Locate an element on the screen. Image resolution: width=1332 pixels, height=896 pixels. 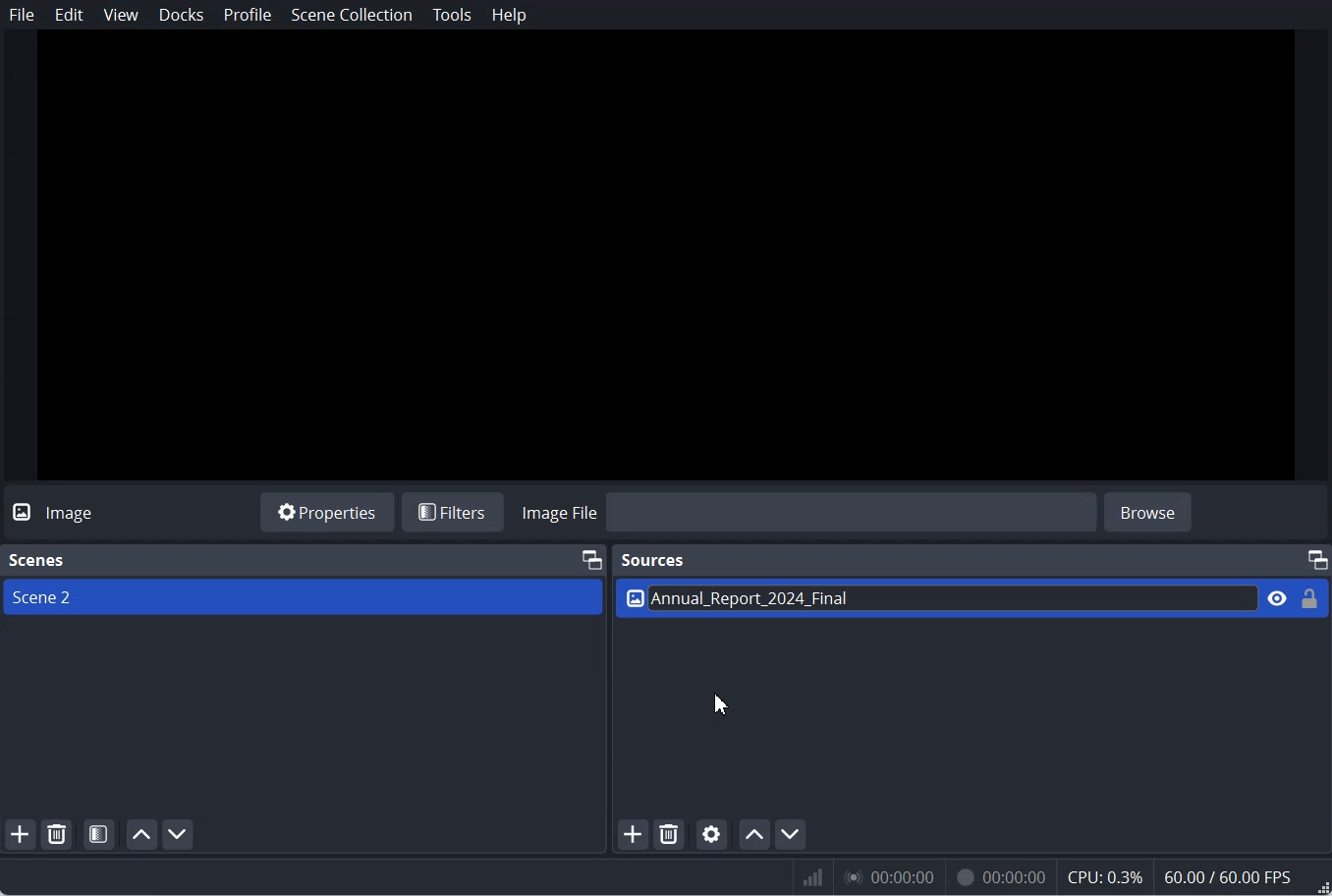
Scene is located at coordinates (303, 597).